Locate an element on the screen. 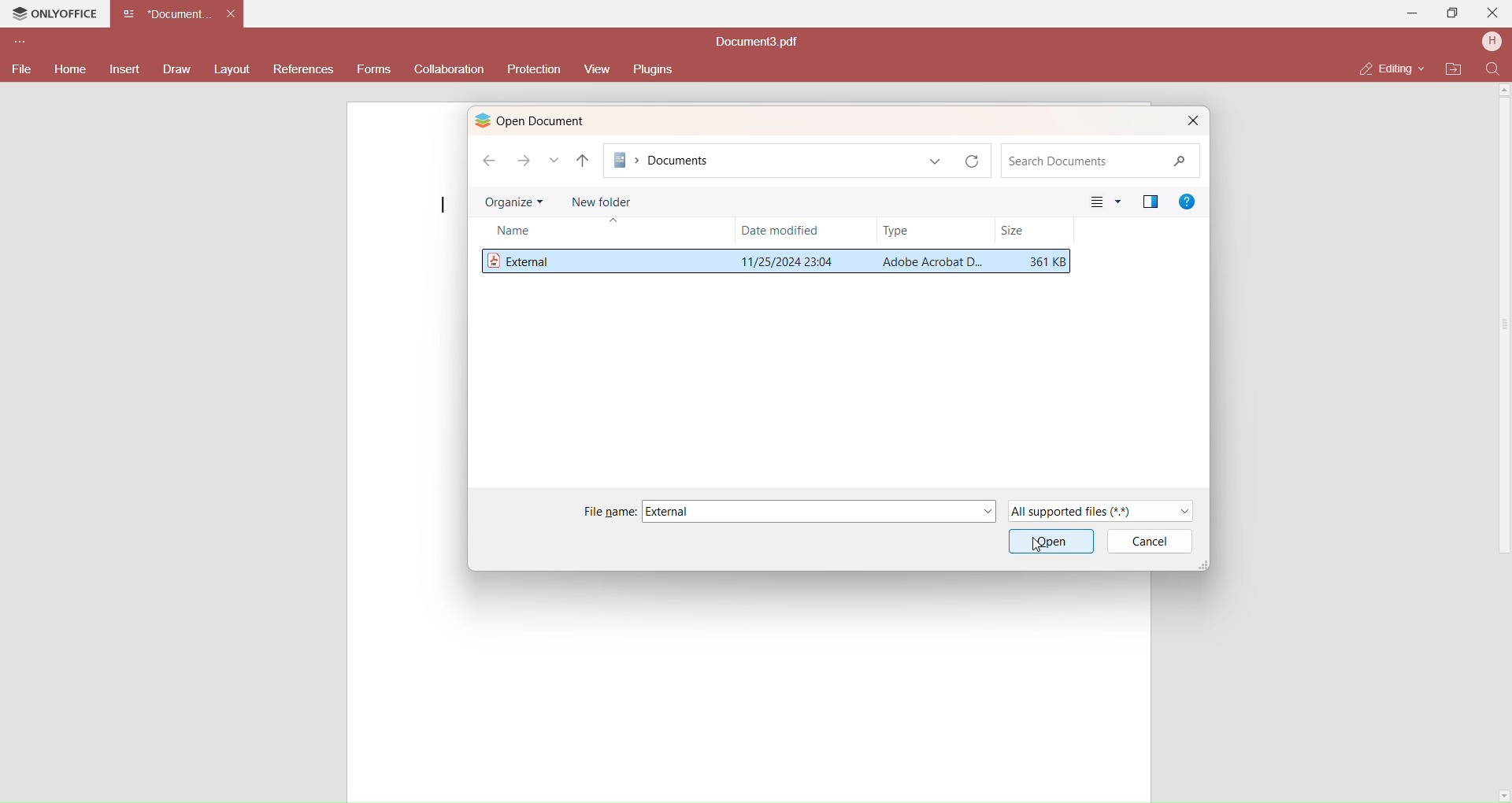 Image resolution: width=1512 pixels, height=803 pixels. Search Document is located at coordinates (1097, 161).